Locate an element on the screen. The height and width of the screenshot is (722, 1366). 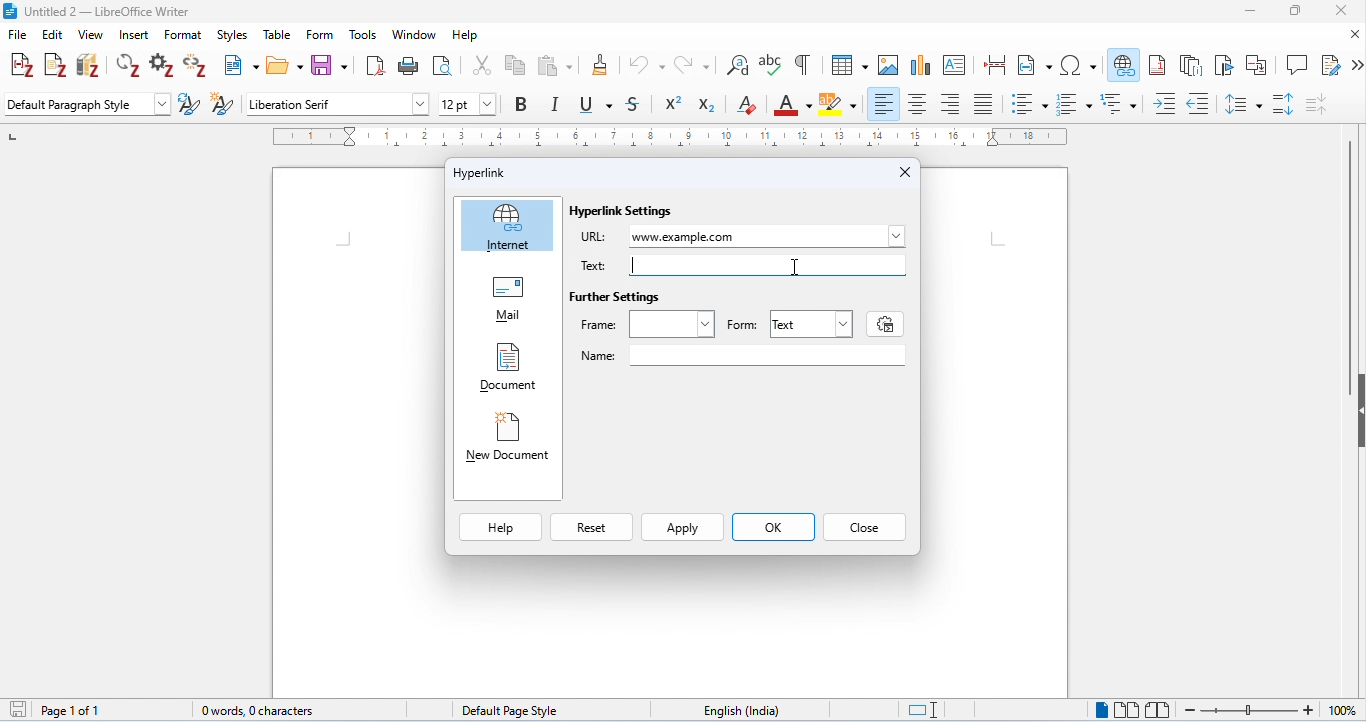
0 words, 0 characters is located at coordinates (260, 711).